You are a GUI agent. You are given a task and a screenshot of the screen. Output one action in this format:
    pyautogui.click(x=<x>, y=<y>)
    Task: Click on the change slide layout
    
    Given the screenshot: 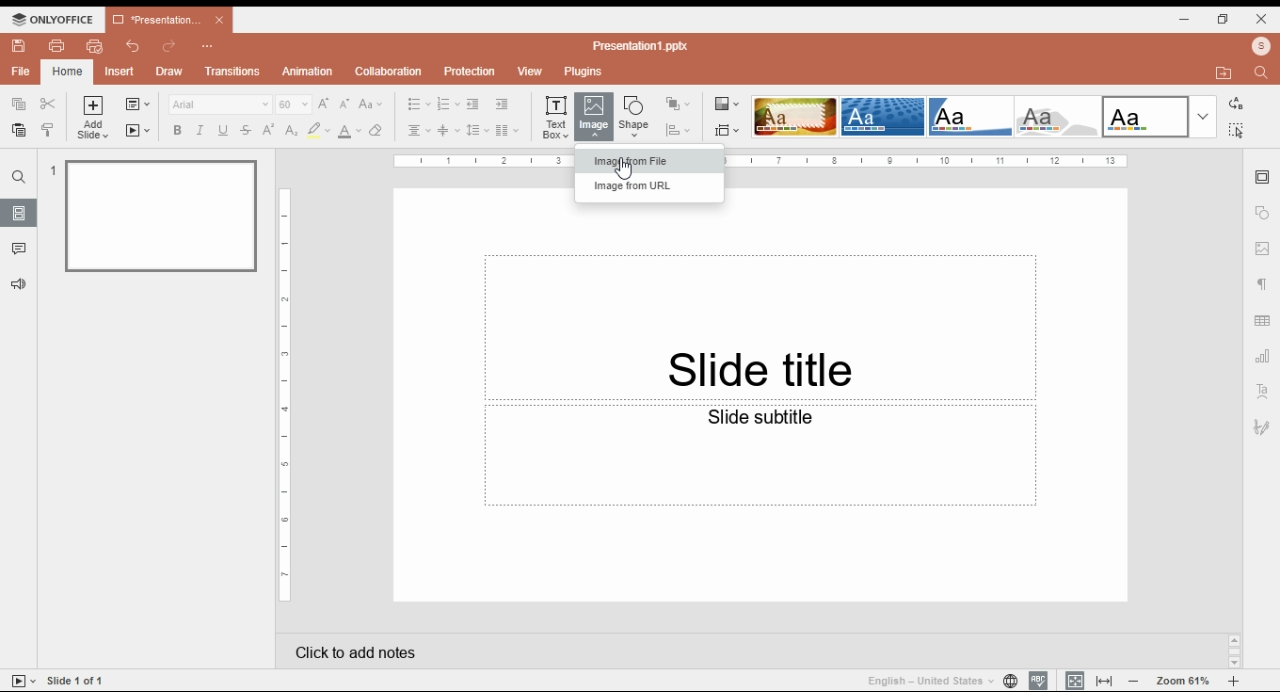 What is the action you would take?
    pyautogui.click(x=138, y=104)
    